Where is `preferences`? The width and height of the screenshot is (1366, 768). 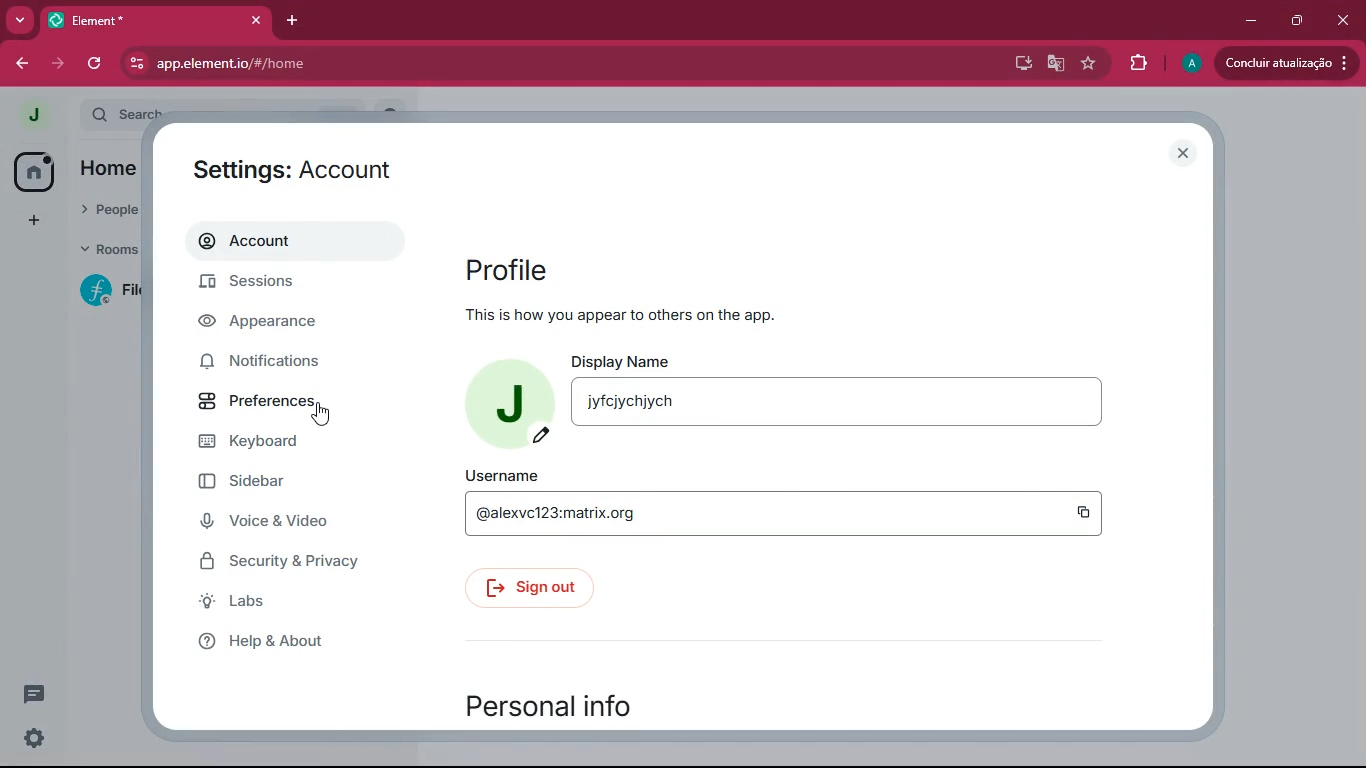
preferences is located at coordinates (275, 406).